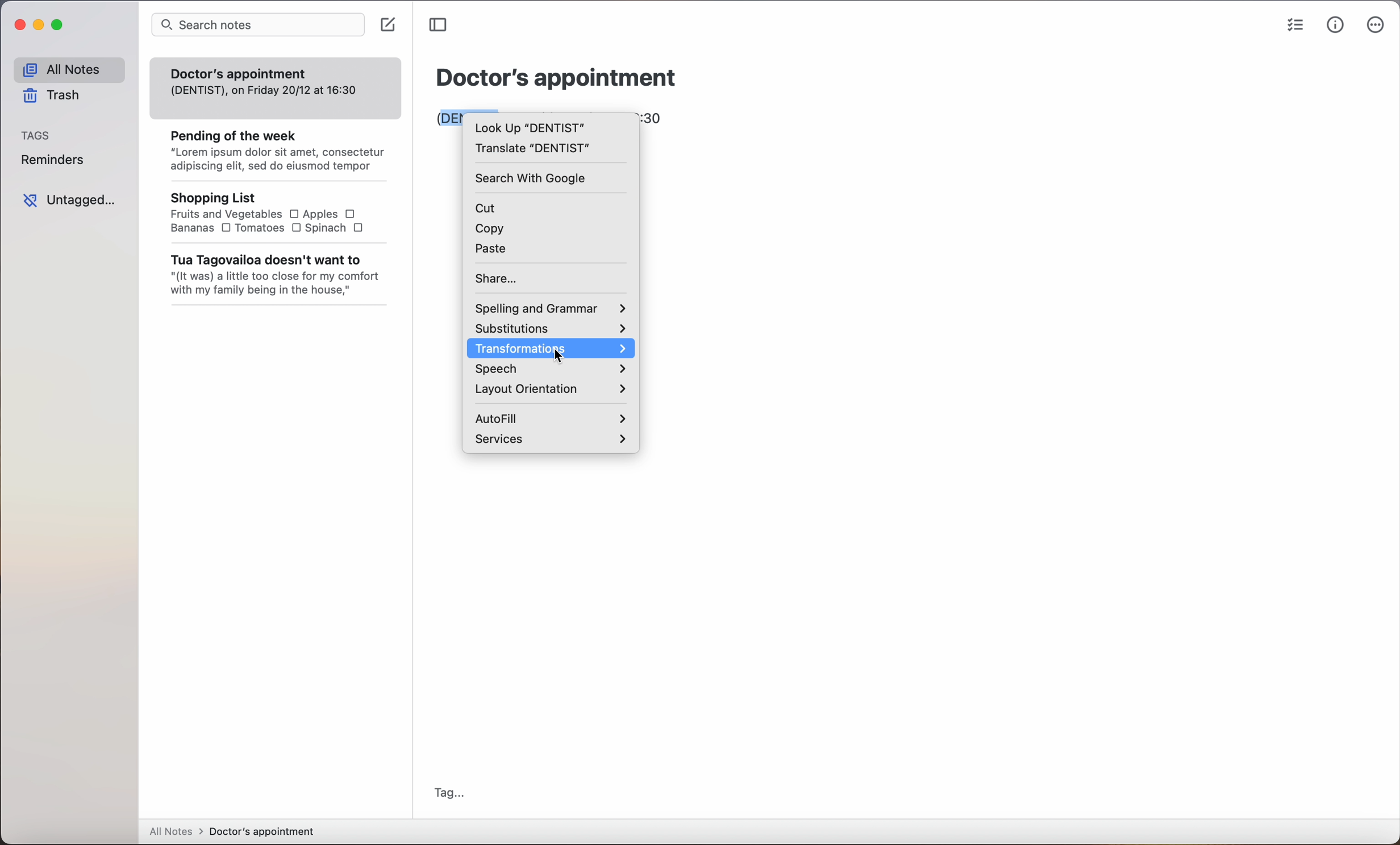 The image size is (1400, 845). What do you see at coordinates (441, 25) in the screenshot?
I see `toggle sidebar` at bounding box center [441, 25].